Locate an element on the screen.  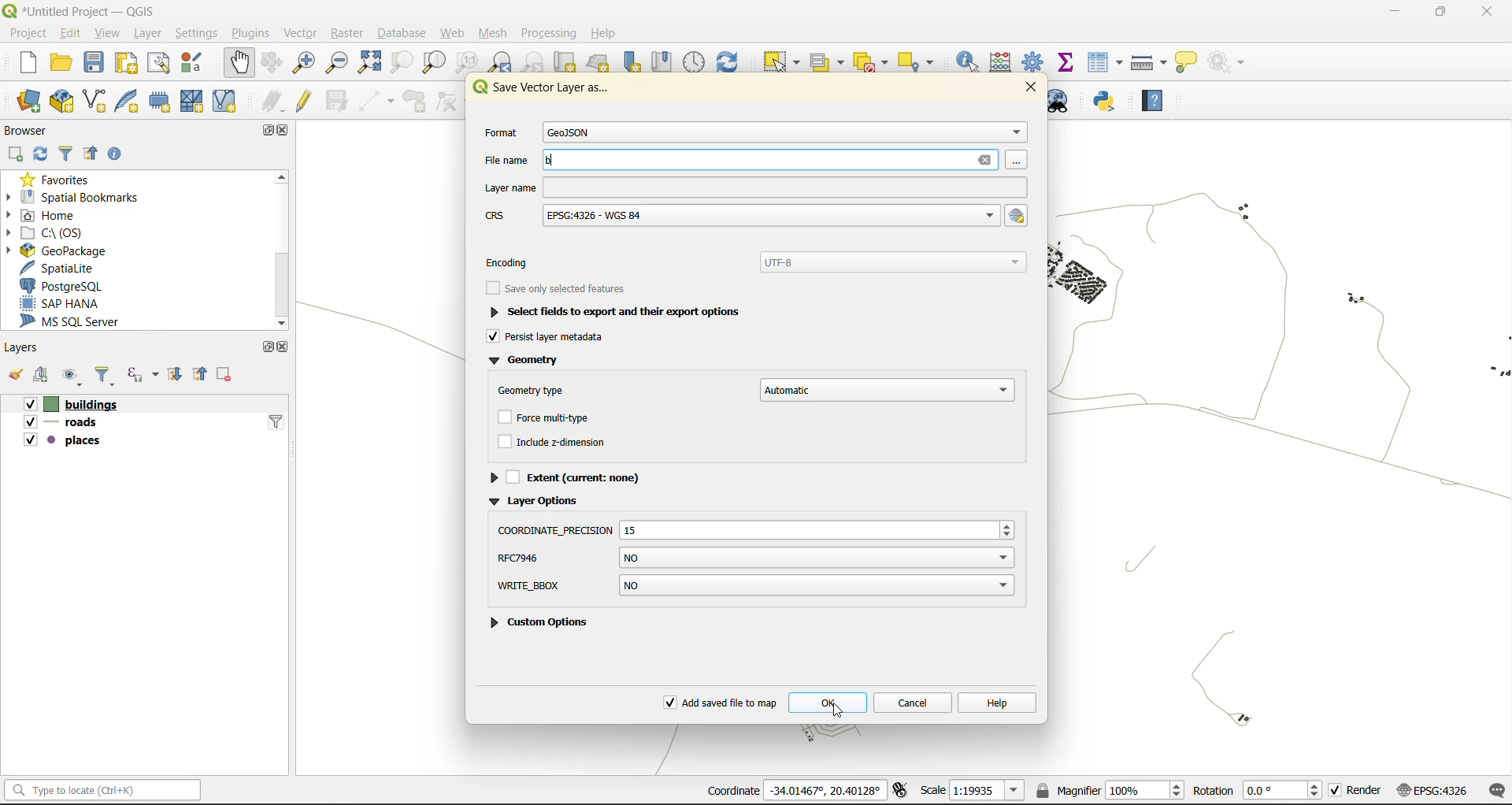
persist layer metadata is located at coordinates (556, 338).